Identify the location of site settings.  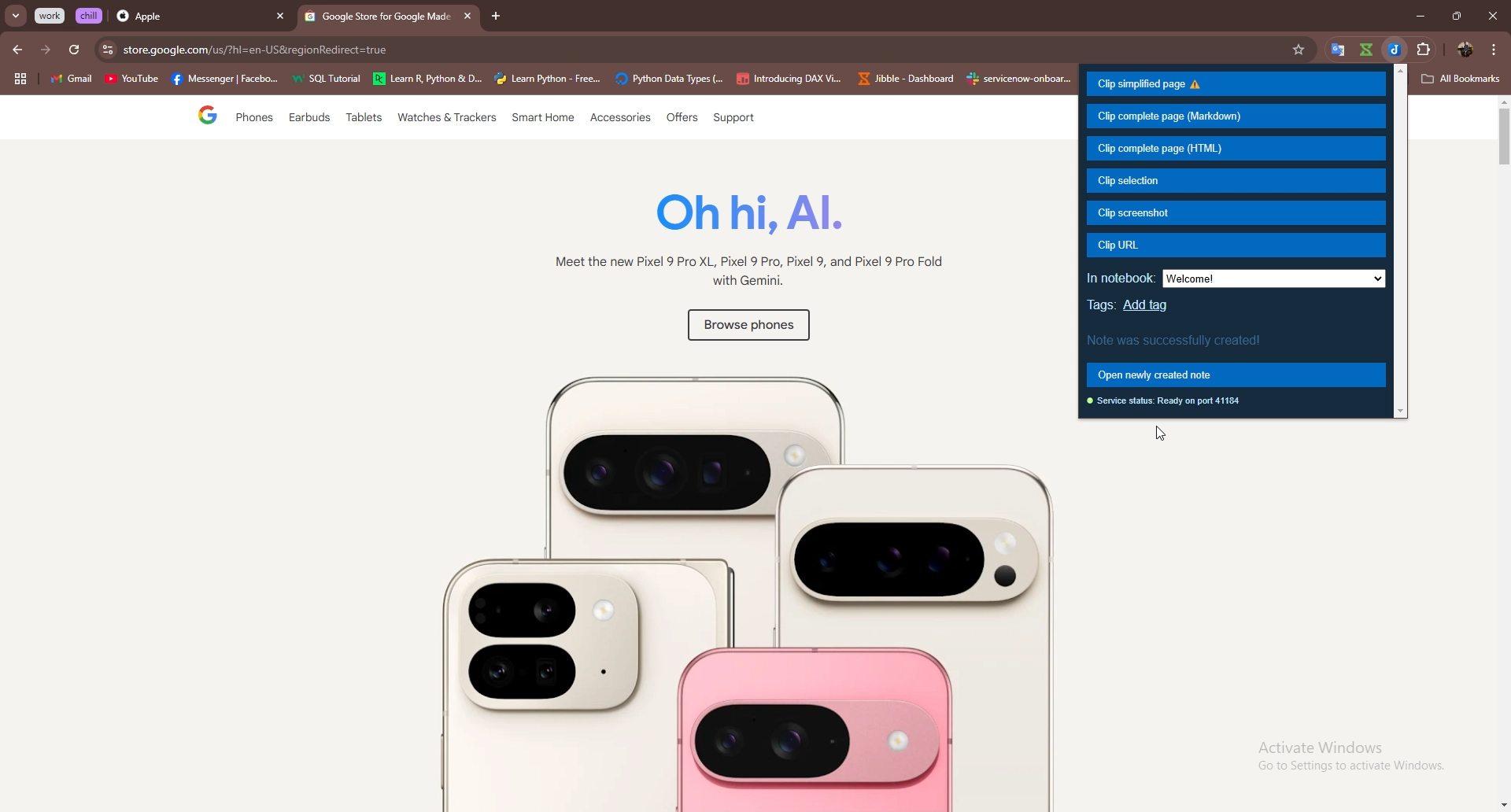
(106, 50).